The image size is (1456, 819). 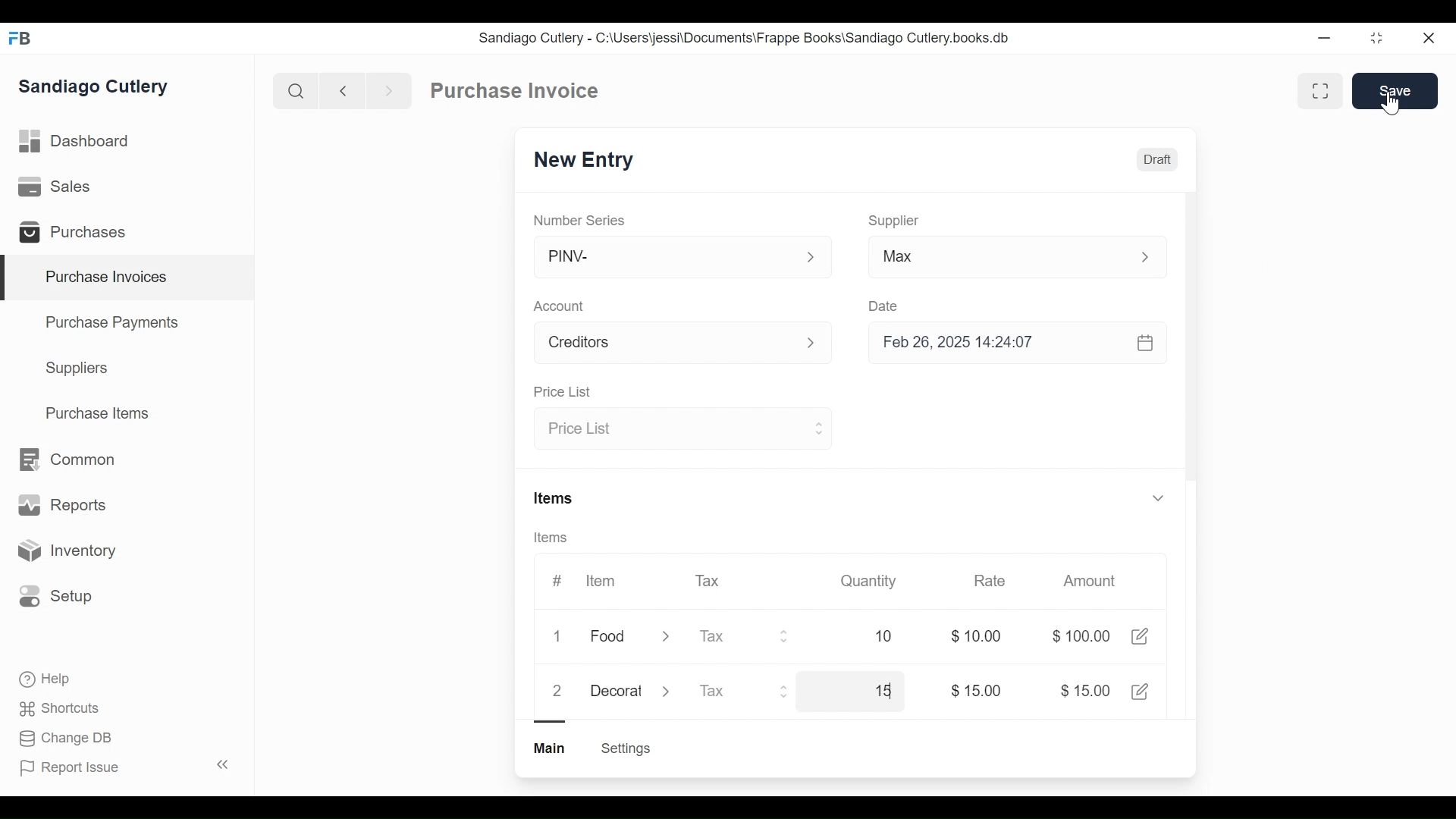 What do you see at coordinates (561, 393) in the screenshot?
I see `Price List` at bounding box center [561, 393].